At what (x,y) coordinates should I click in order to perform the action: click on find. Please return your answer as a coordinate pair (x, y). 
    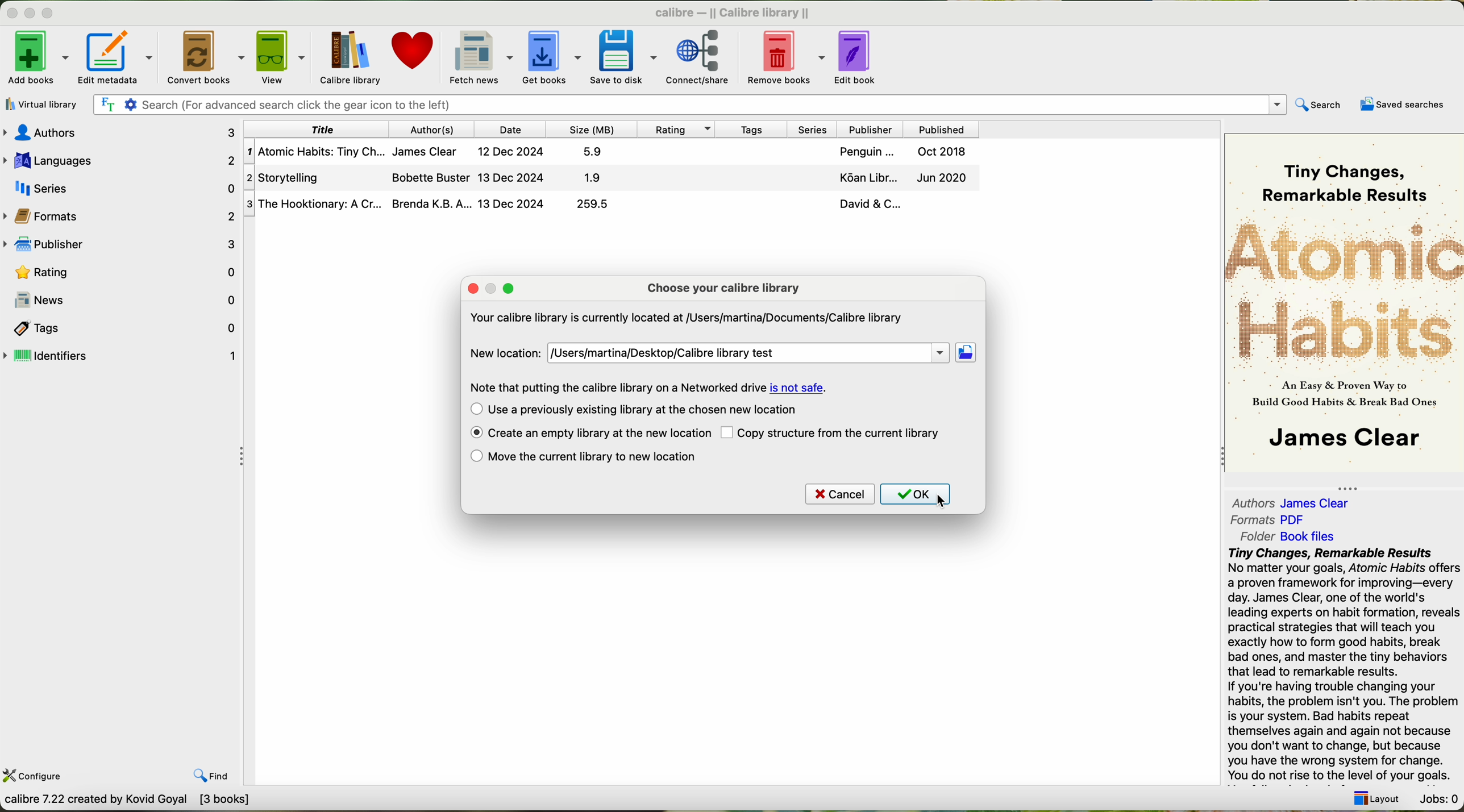
    Looking at the image, I should click on (202, 767).